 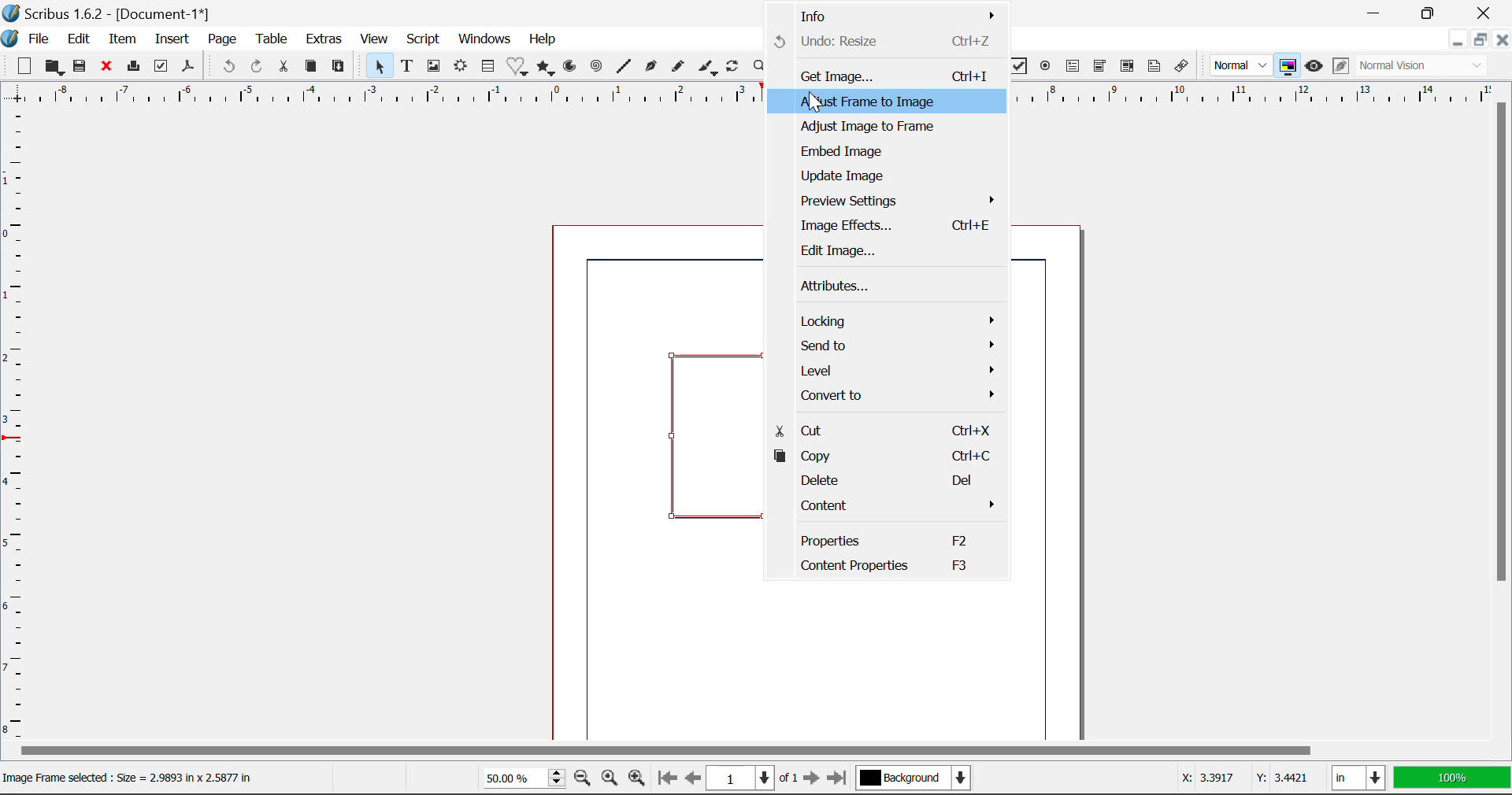 I want to click on Render Frame, so click(x=463, y=68).